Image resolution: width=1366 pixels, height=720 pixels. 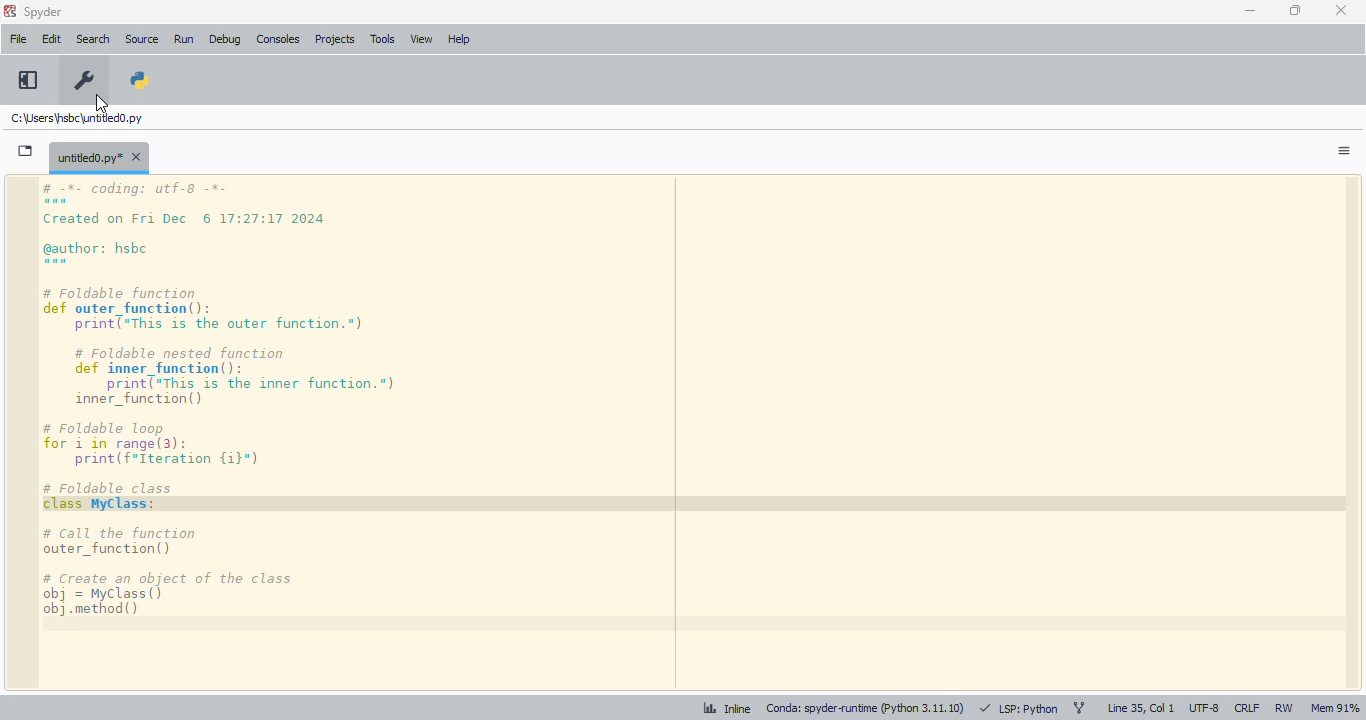 What do you see at coordinates (1295, 10) in the screenshot?
I see `maximize` at bounding box center [1295, 10].